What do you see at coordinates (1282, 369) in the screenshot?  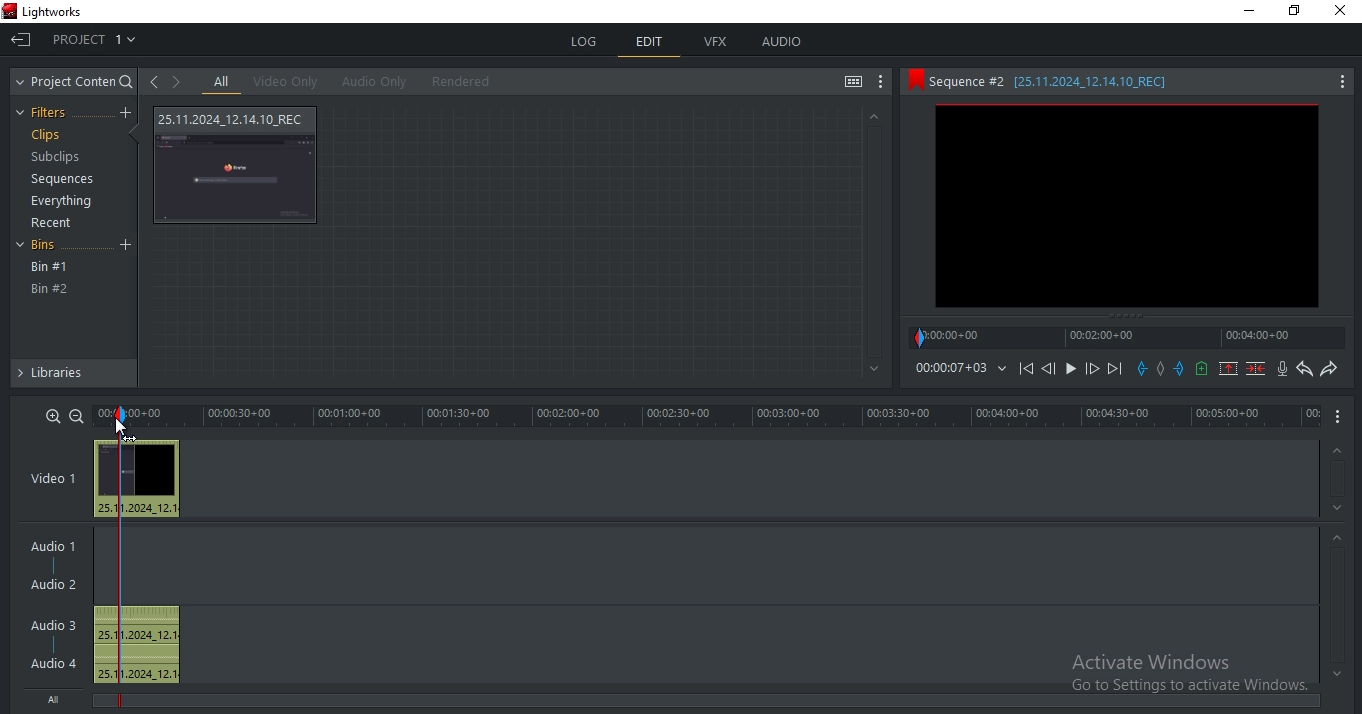 I see `record audio` at bounding box center [1282, 369].